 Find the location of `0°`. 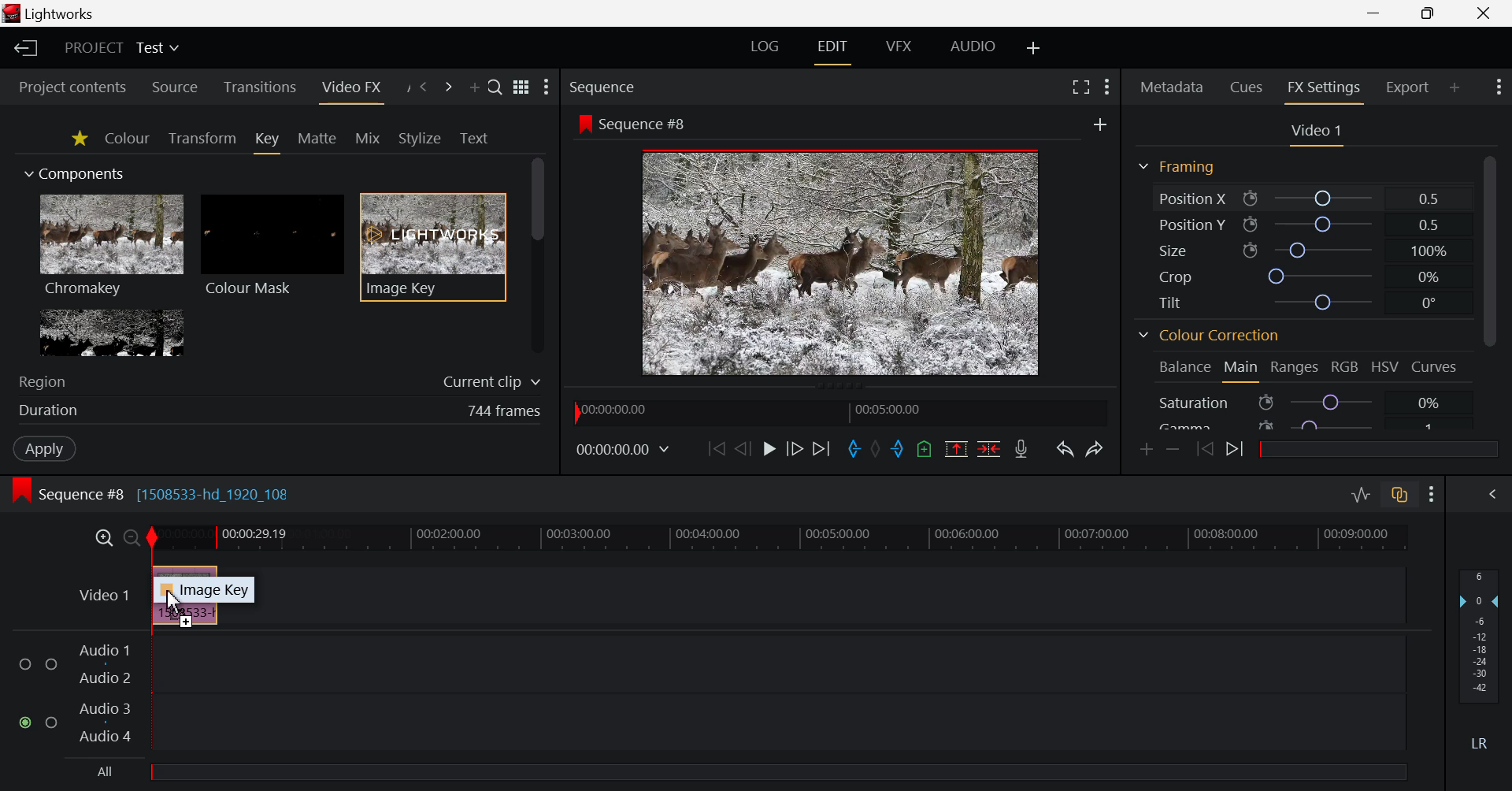

0° is located at coordinates (1429, 303).